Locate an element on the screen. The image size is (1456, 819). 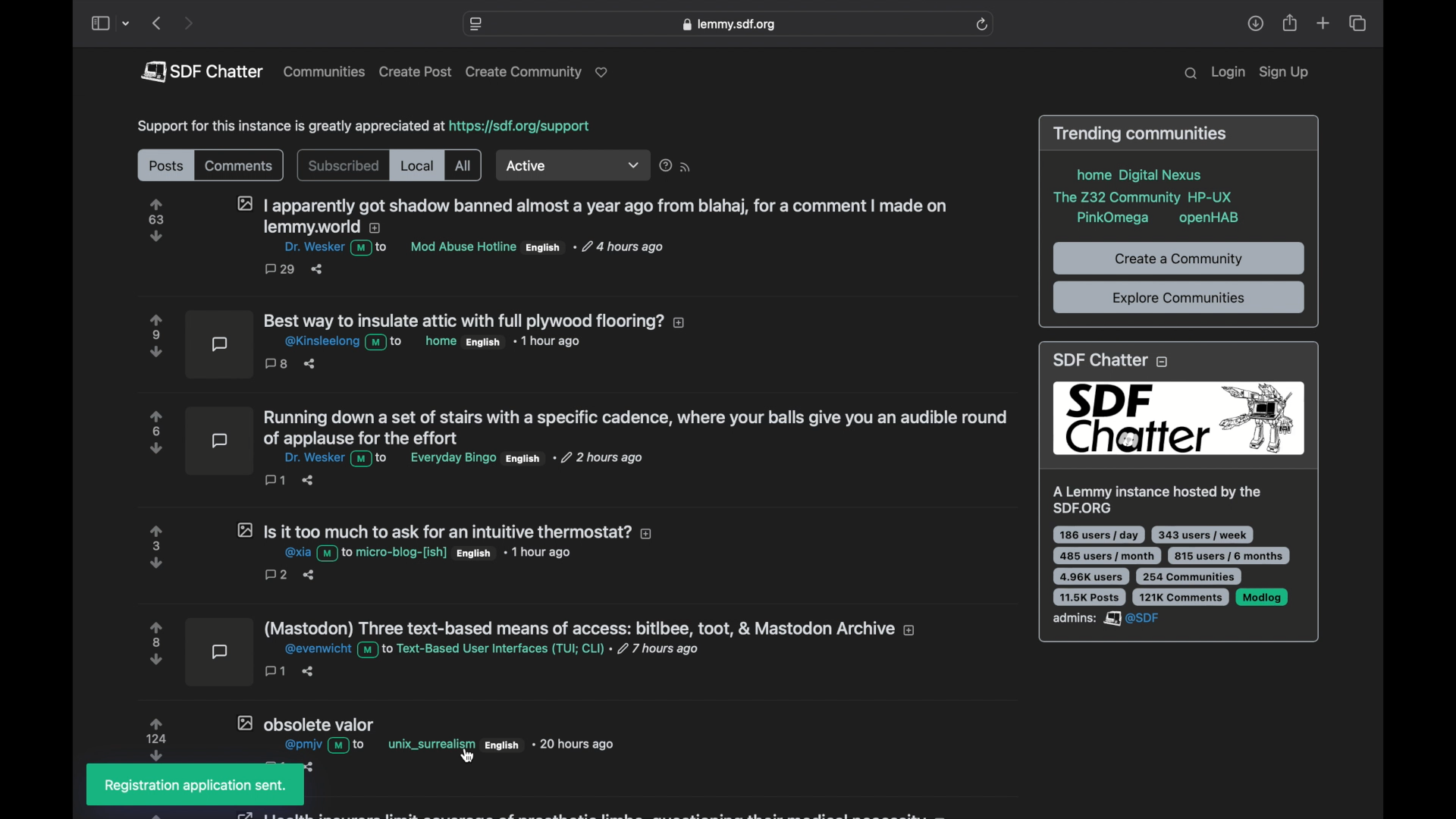
show sidebar is located at coordinates (99, 24).